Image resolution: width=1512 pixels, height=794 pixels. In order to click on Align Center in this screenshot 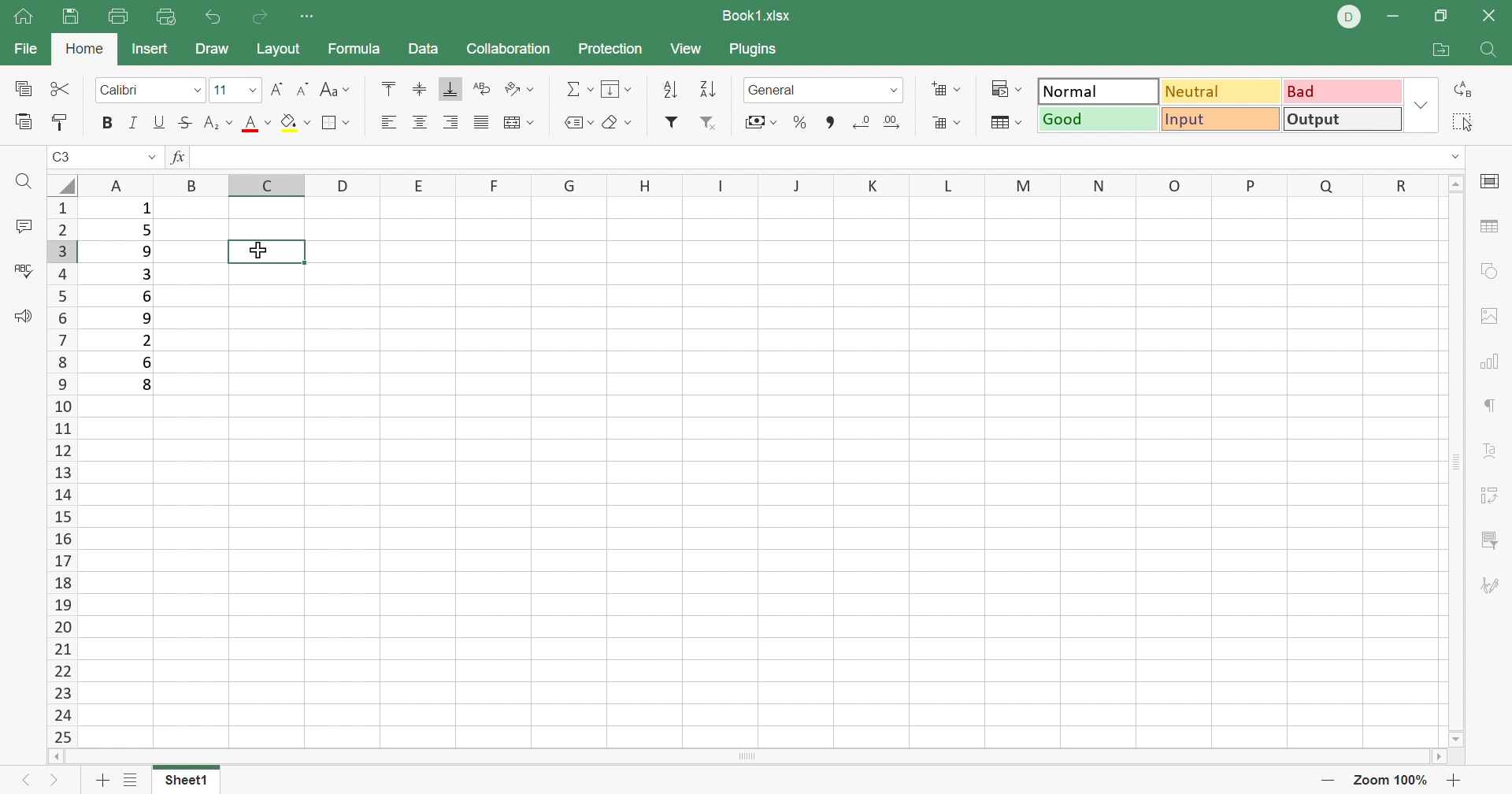, I will do `click(420, 122)`.